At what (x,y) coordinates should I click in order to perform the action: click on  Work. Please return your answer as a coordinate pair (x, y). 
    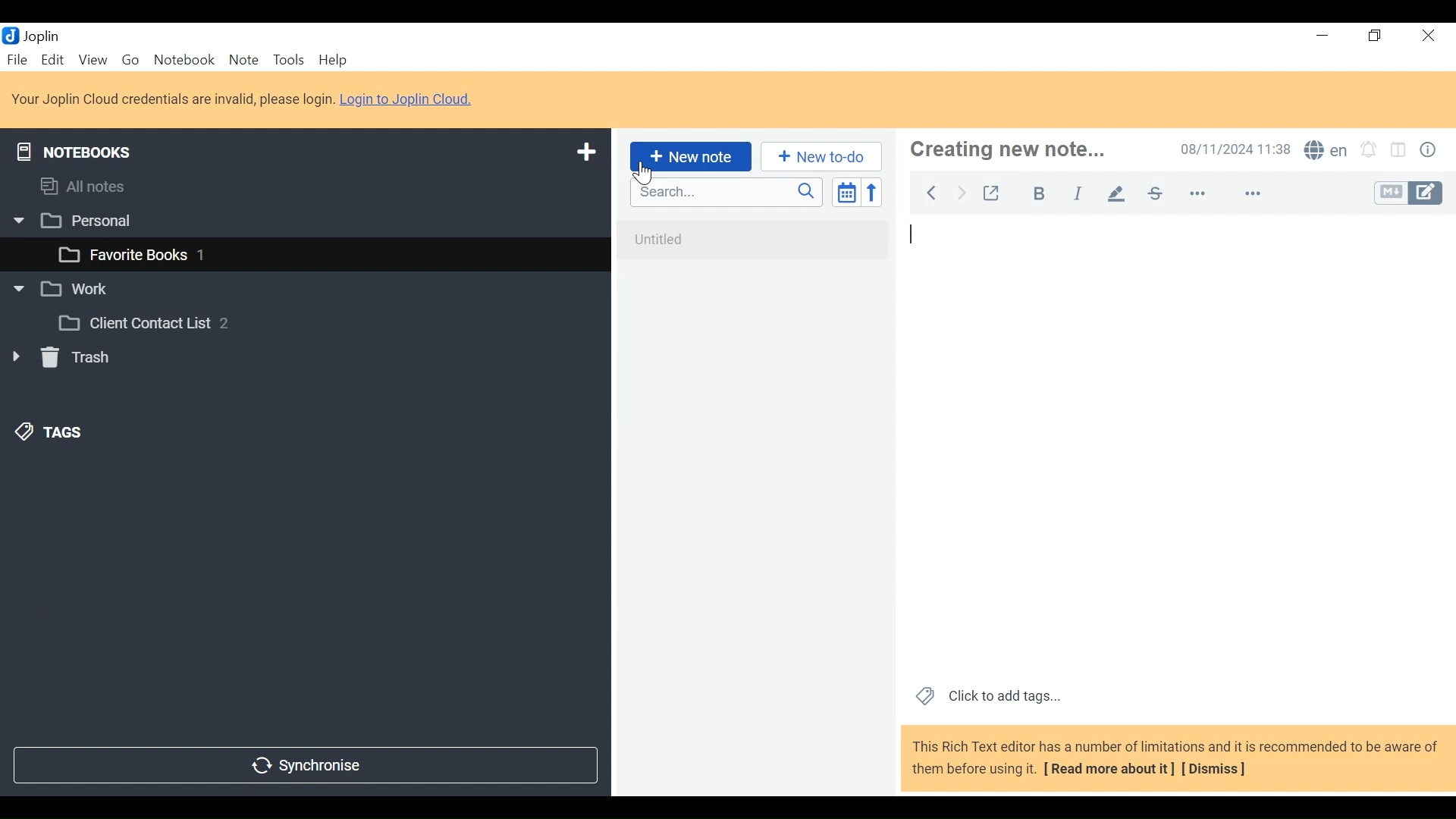
    Looking at the image, I should click on (60, 285).